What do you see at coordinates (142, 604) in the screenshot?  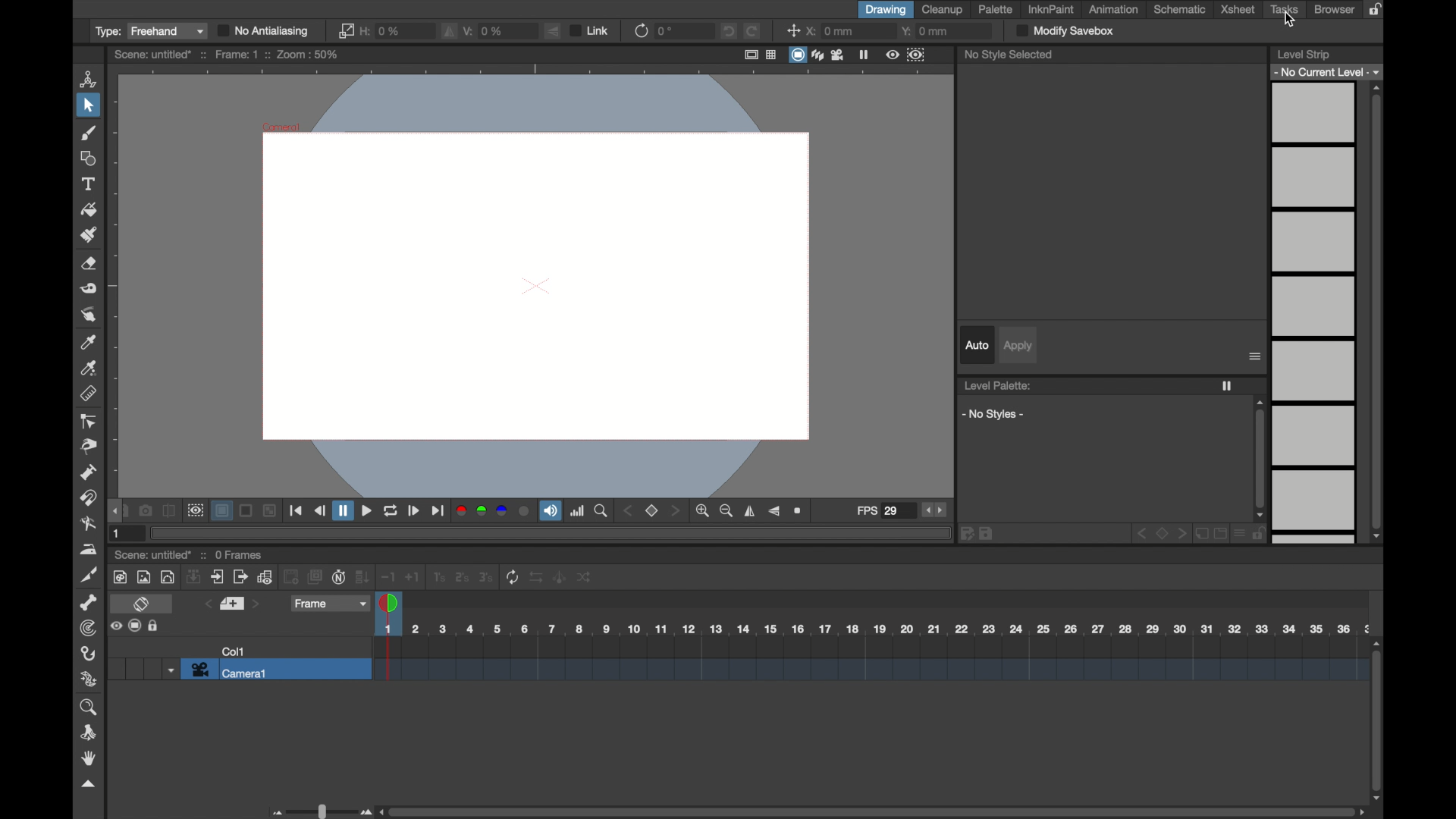 I see `toggle xsheet` at bounding box center [142, 604].